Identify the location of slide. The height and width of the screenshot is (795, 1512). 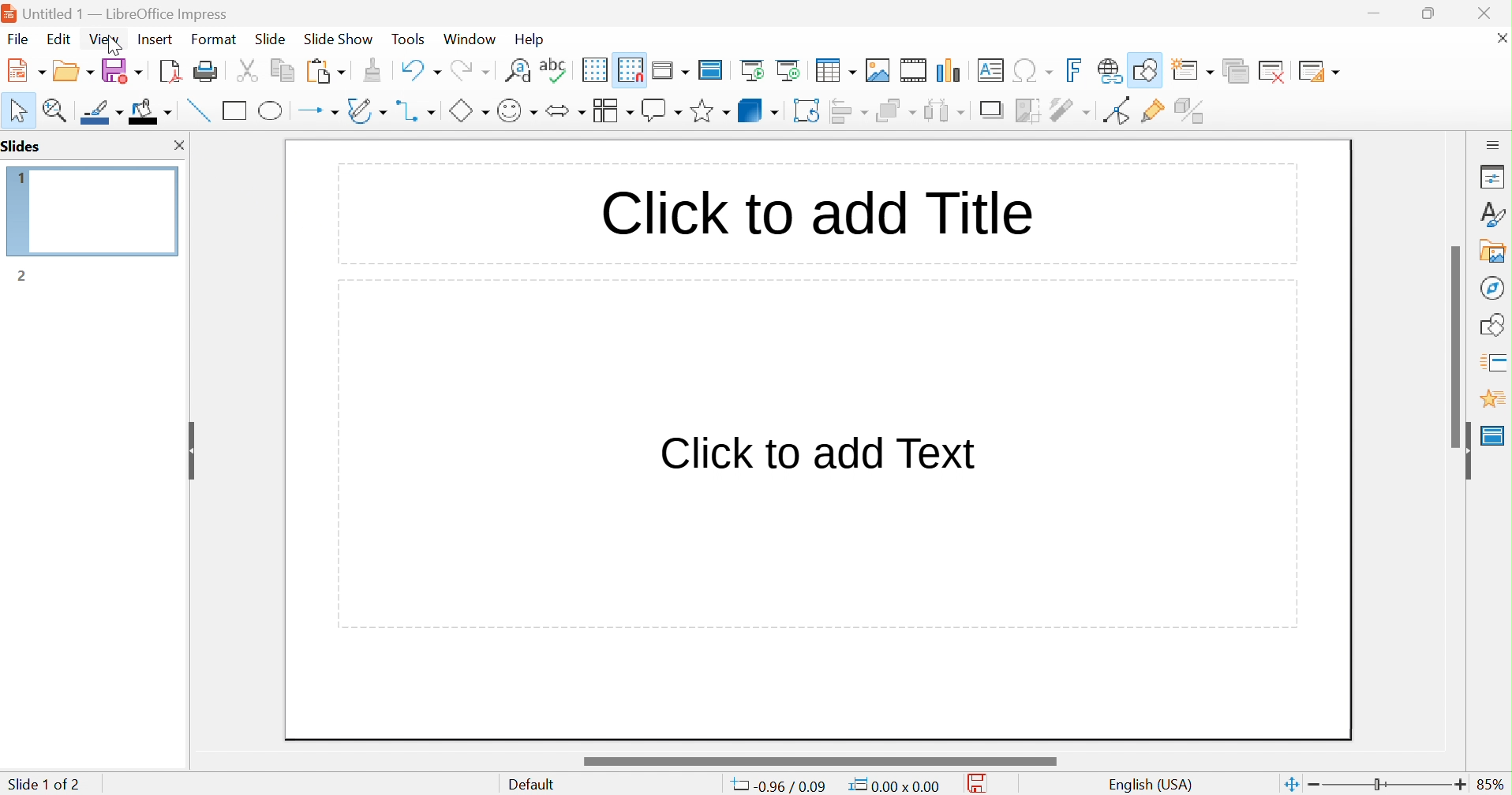
(103, 212).